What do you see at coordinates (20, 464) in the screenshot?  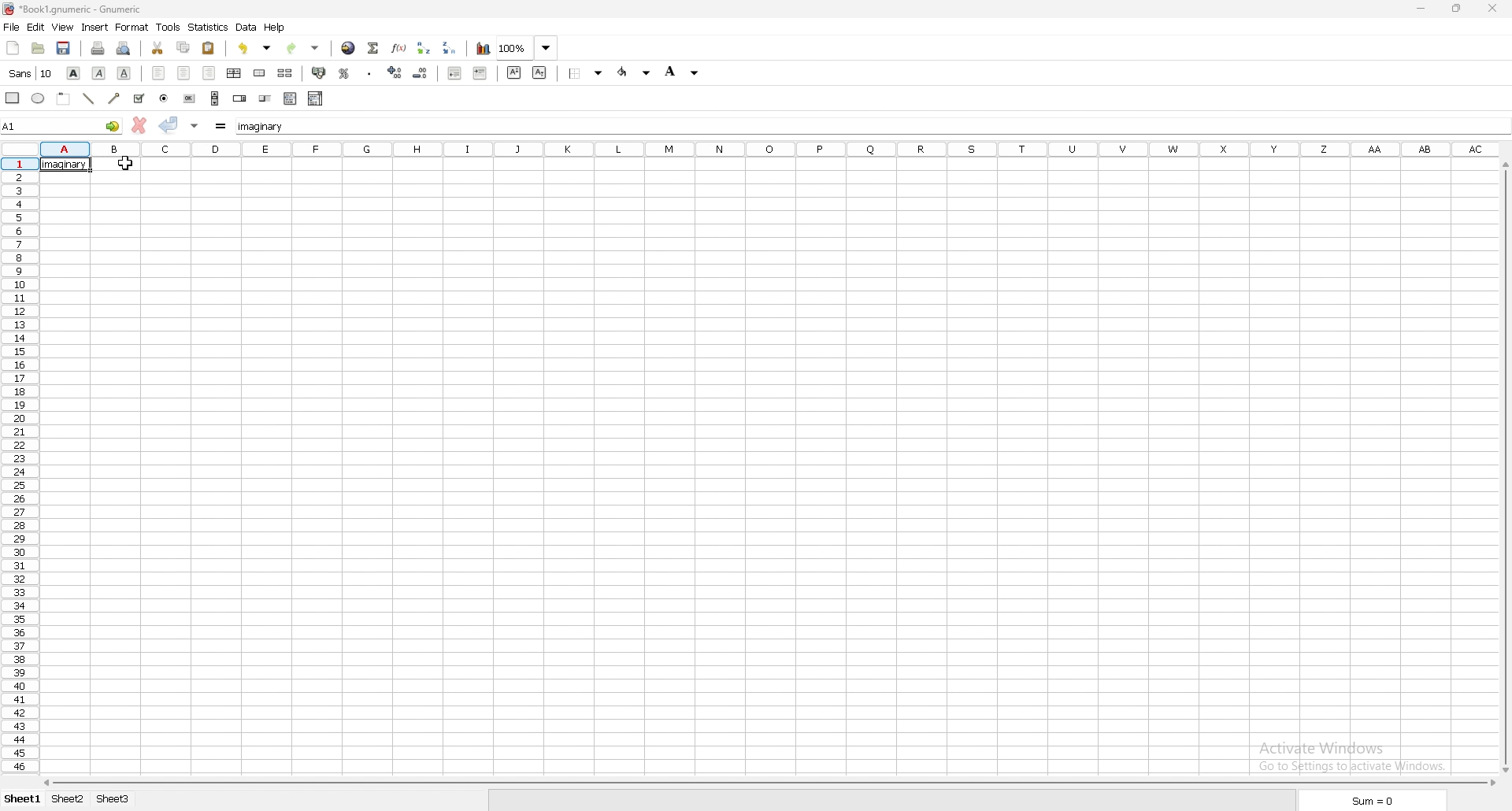 I see `rows` at bounding box center [20, 464].